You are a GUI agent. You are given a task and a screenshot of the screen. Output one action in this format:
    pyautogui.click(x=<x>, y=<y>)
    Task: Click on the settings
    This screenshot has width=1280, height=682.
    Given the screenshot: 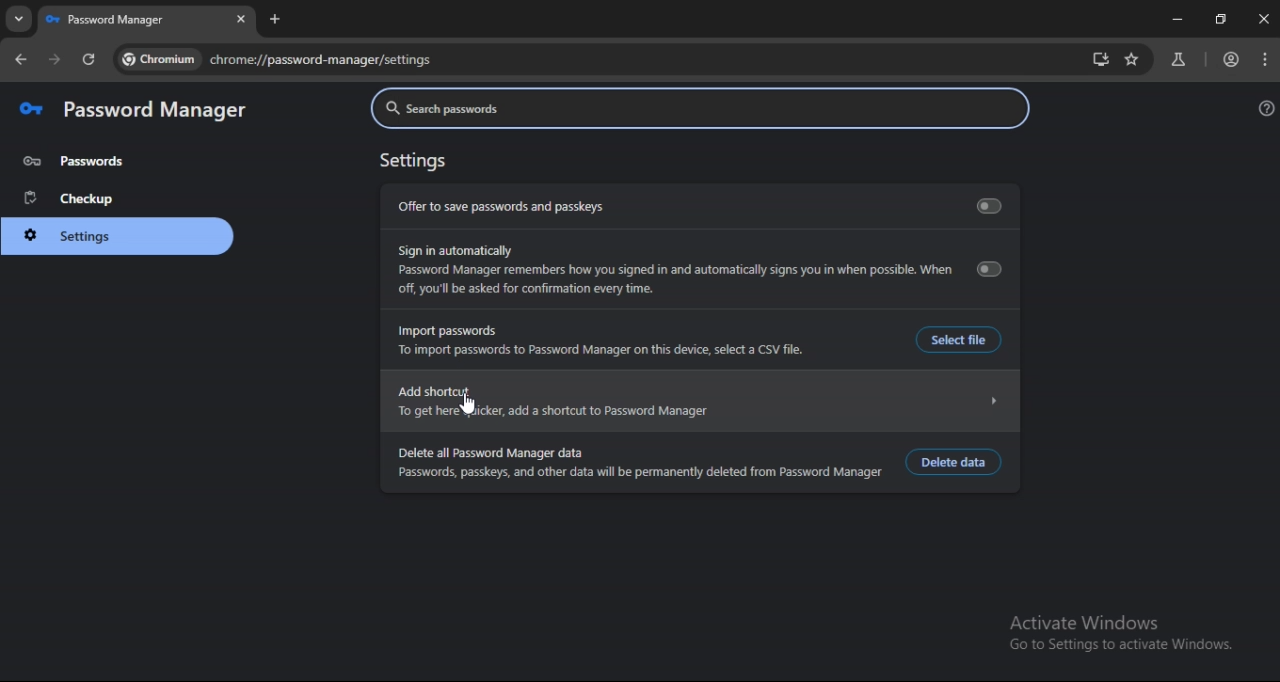 What is the action you would take?
    pyautogui.click(x=76, y=236)
    